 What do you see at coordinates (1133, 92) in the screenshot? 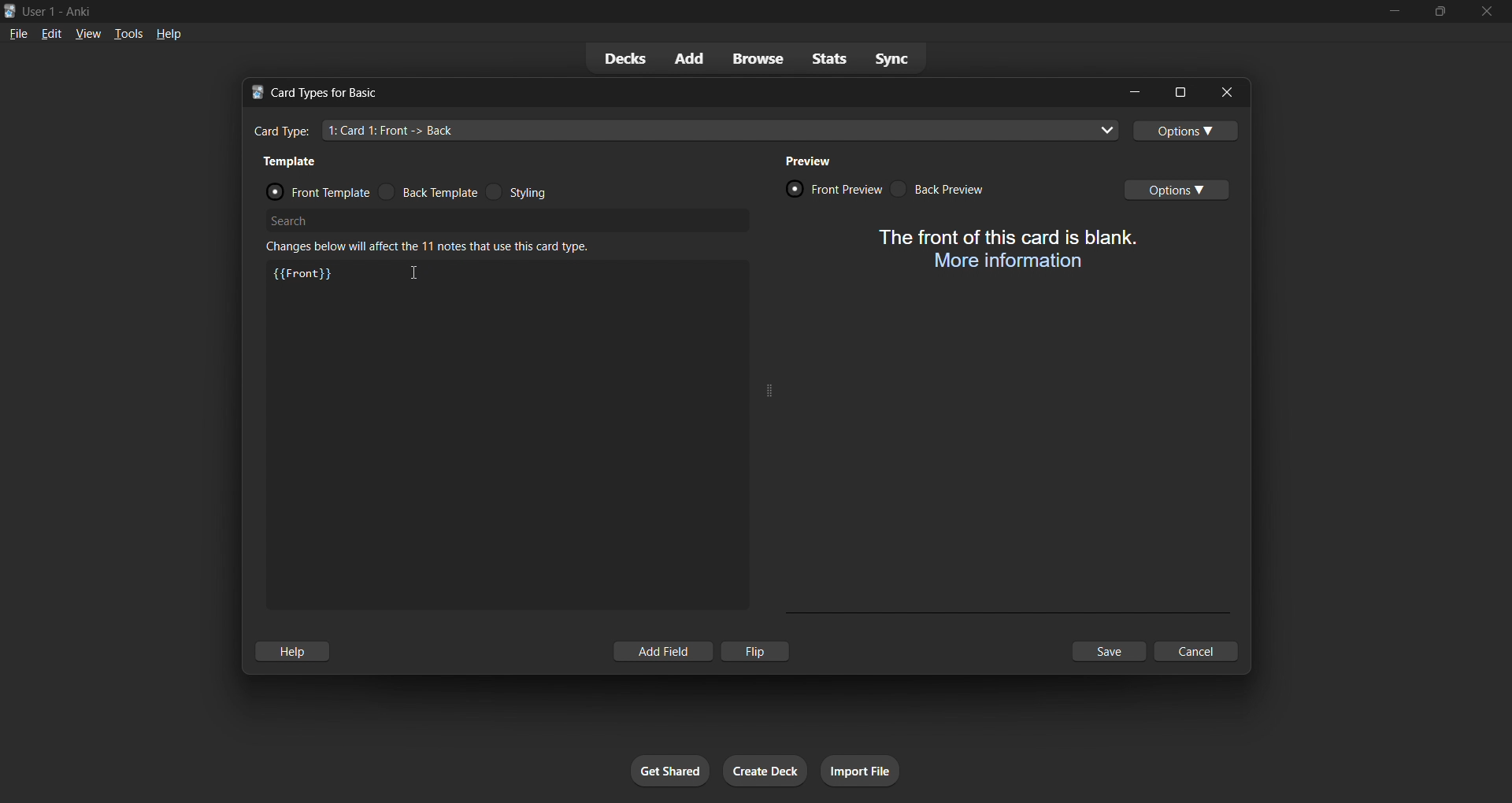
I see `minimize` at bounding box center [1133, 92].